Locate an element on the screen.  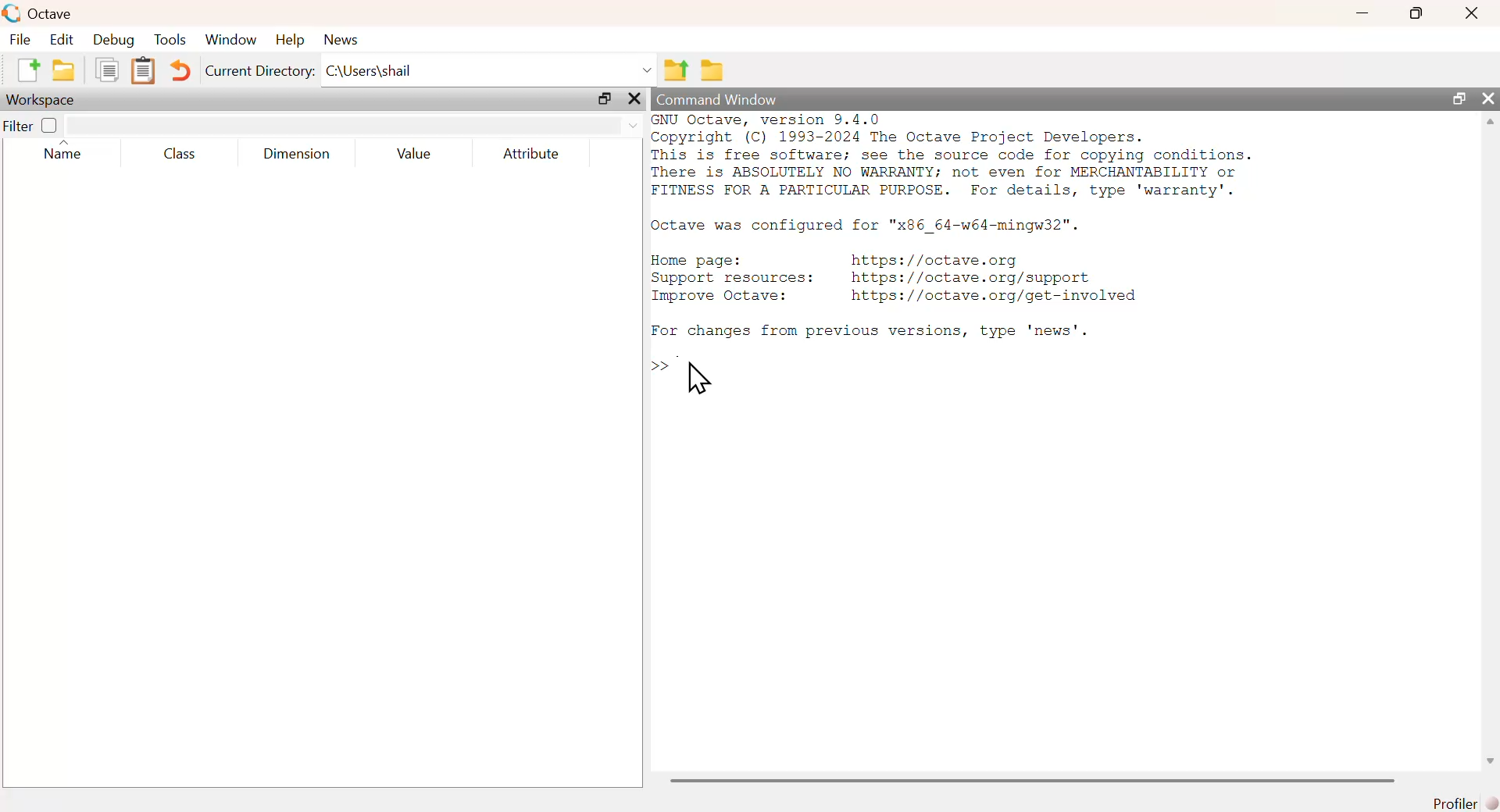
help is located at coordinates (294, 40).